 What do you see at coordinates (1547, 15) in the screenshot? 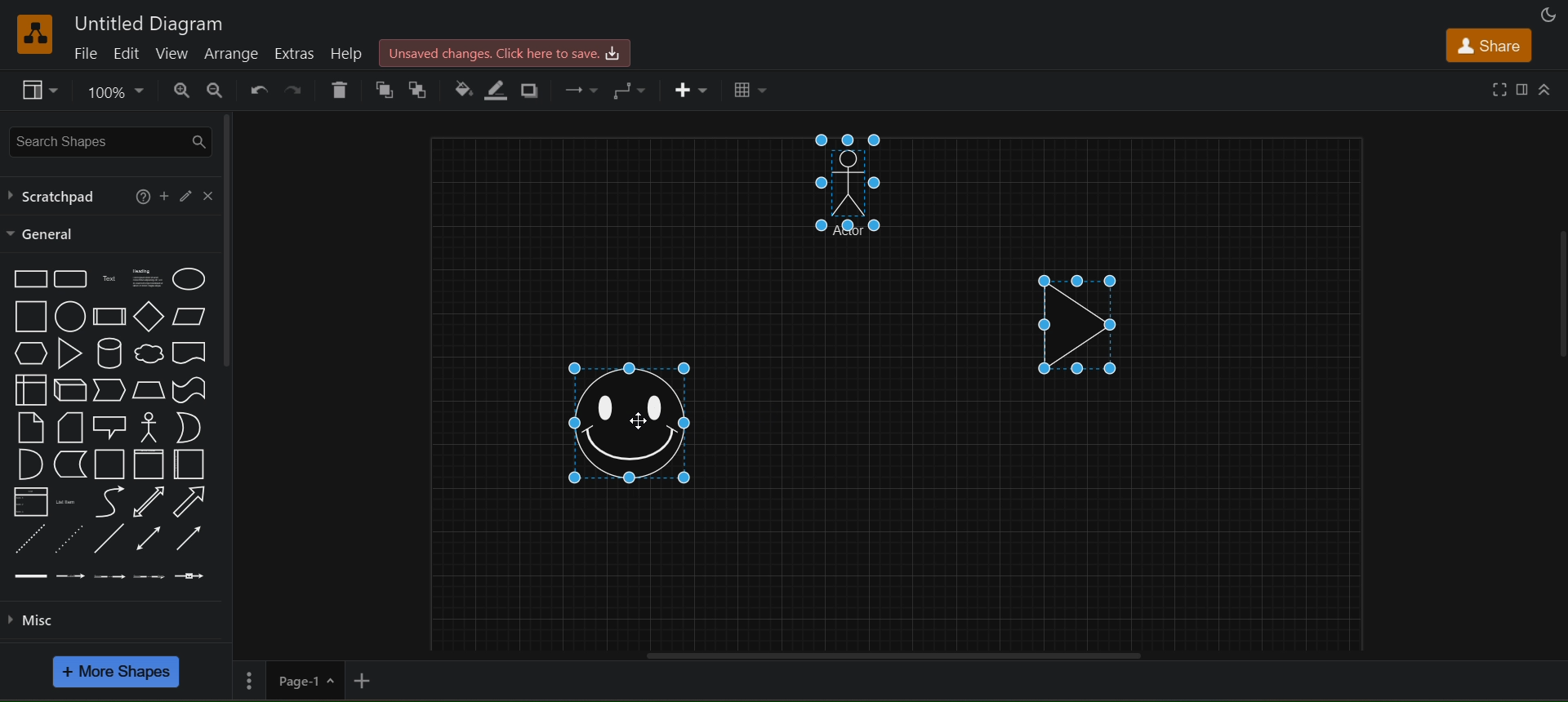
I see `appearance` at bounding box center [1547, 15].